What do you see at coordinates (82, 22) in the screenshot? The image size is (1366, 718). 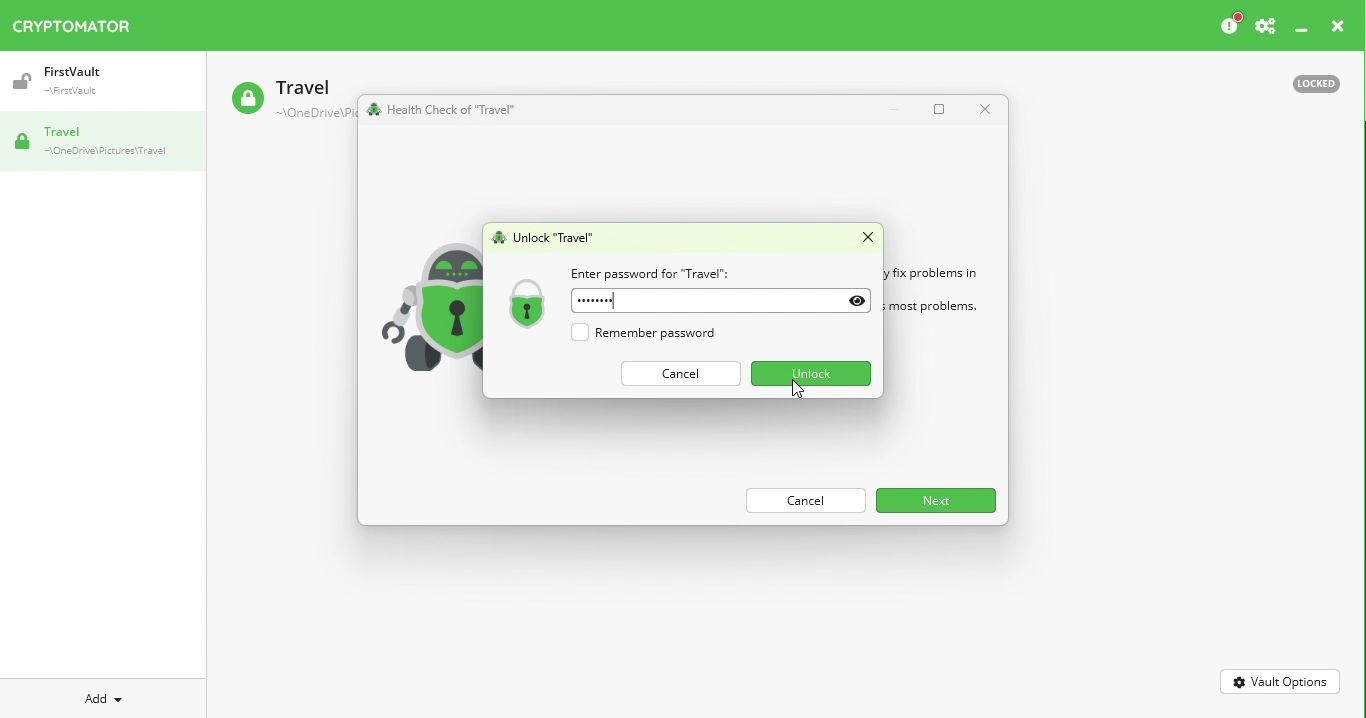 I see `Cryptomator icon` at bounding box center [82, 22].